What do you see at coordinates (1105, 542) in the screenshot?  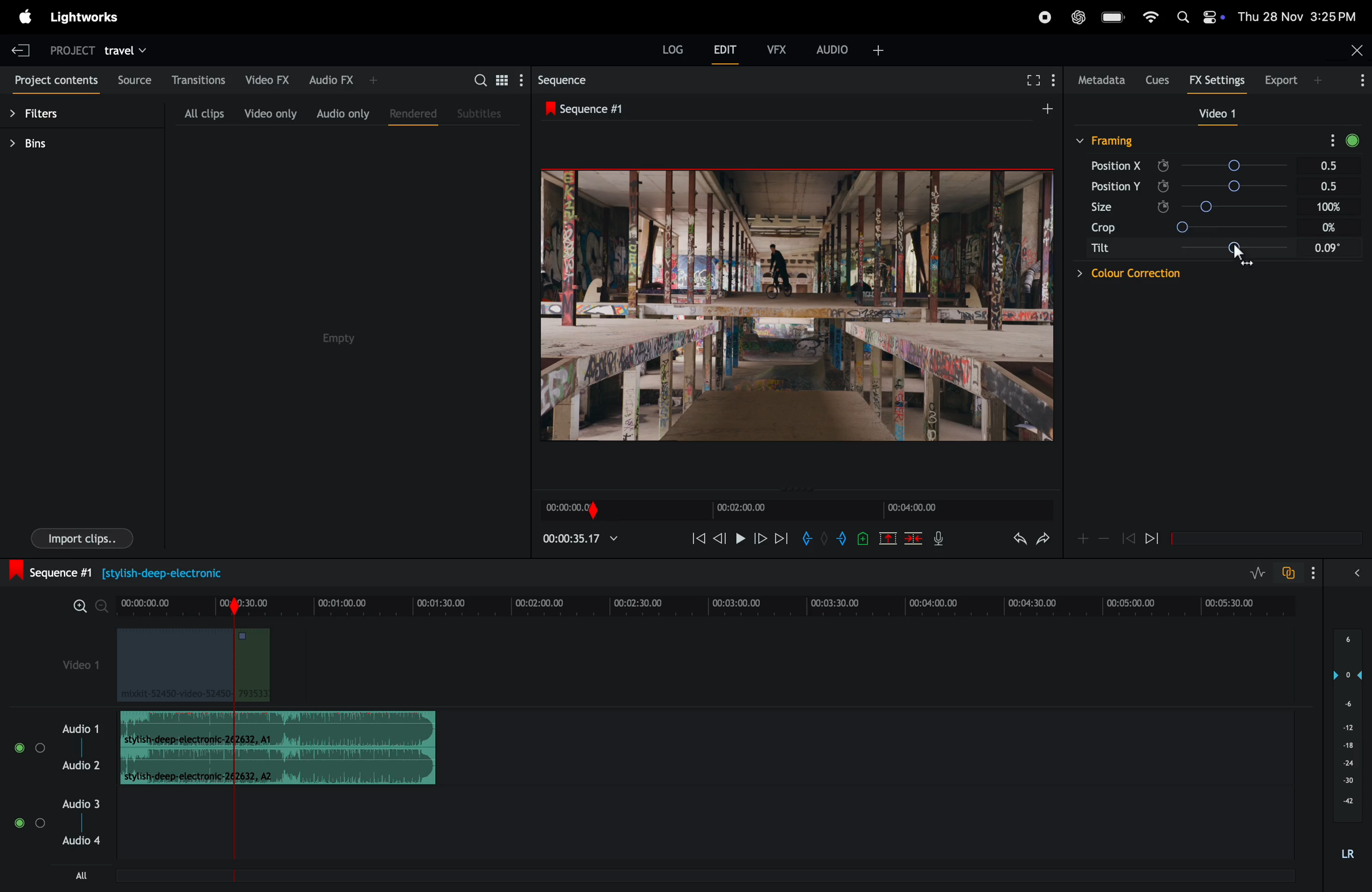 I see `Remove keyframes` at bounding box center [1105, 542].